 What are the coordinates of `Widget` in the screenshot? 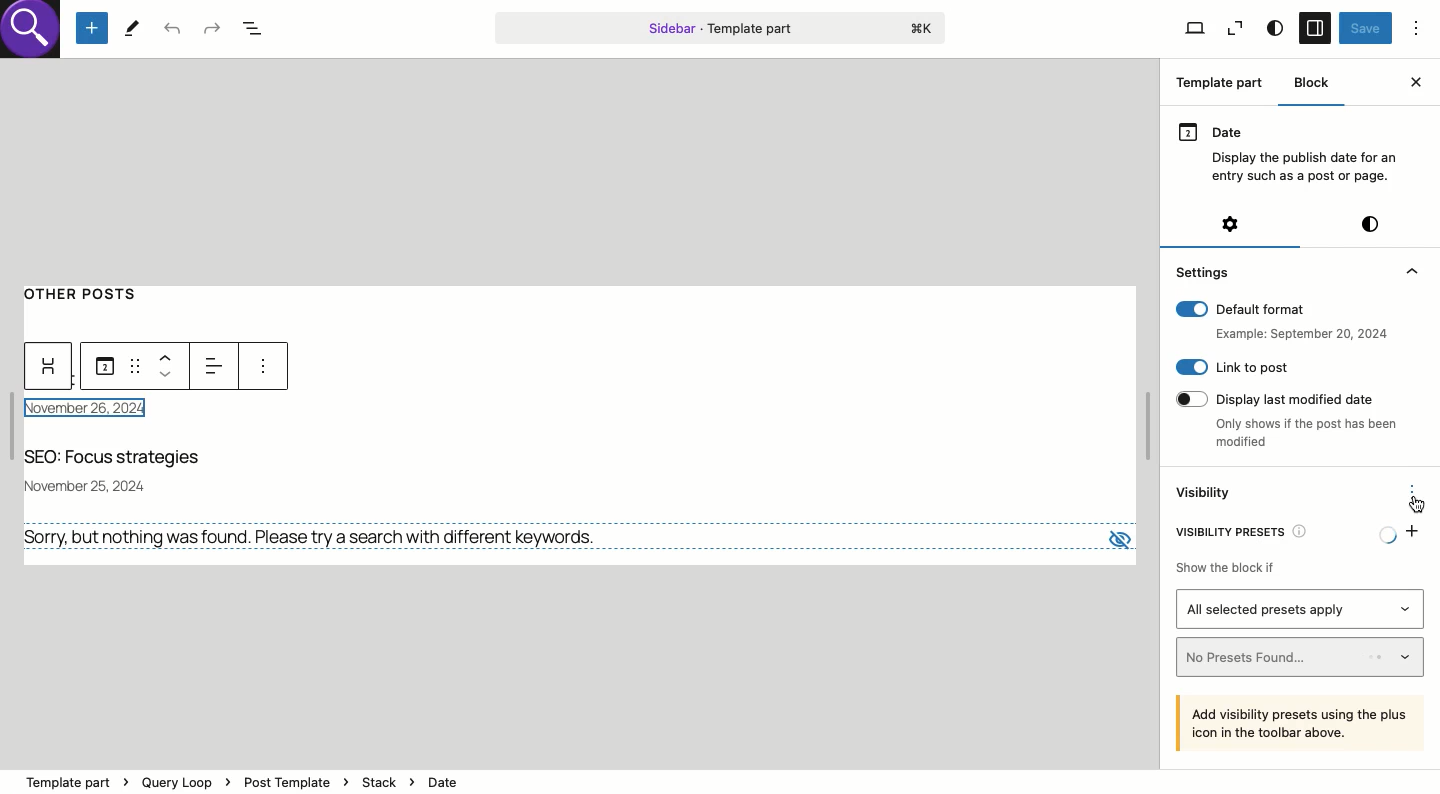 It's located at (50, 367).